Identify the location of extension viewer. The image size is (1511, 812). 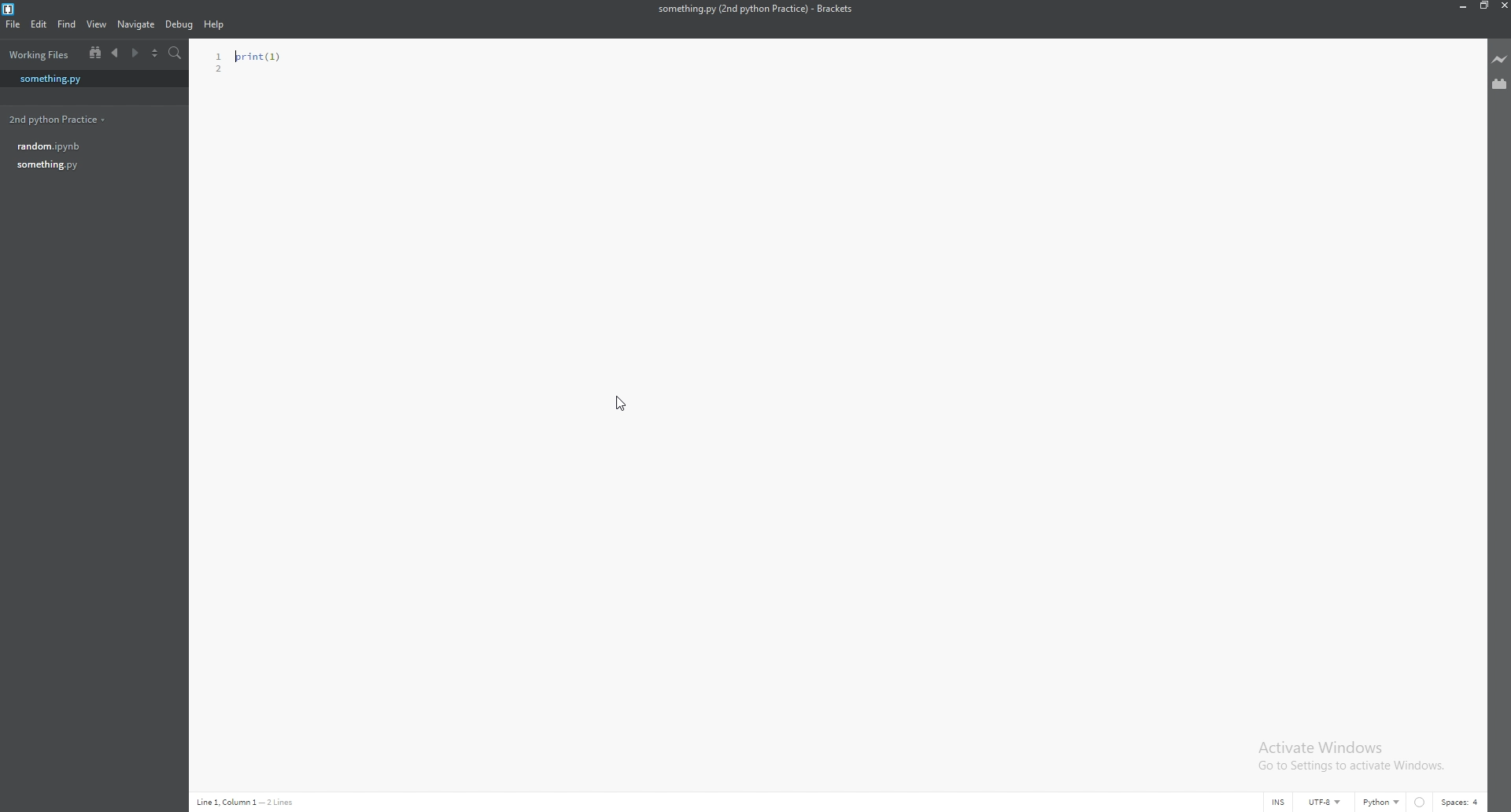
(1498, 85).